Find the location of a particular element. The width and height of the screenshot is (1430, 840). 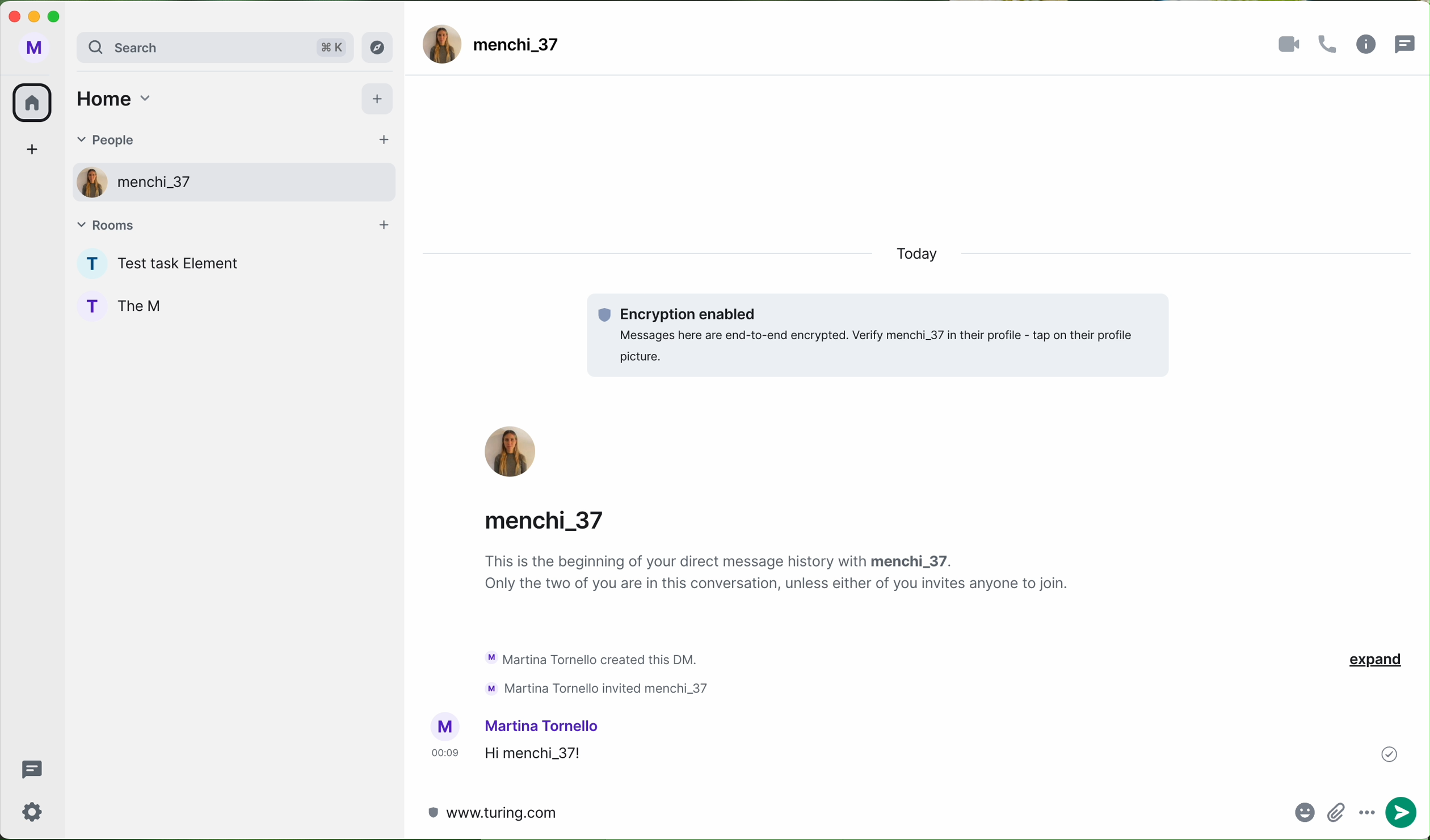

threads is located at coordinates (30, 770).